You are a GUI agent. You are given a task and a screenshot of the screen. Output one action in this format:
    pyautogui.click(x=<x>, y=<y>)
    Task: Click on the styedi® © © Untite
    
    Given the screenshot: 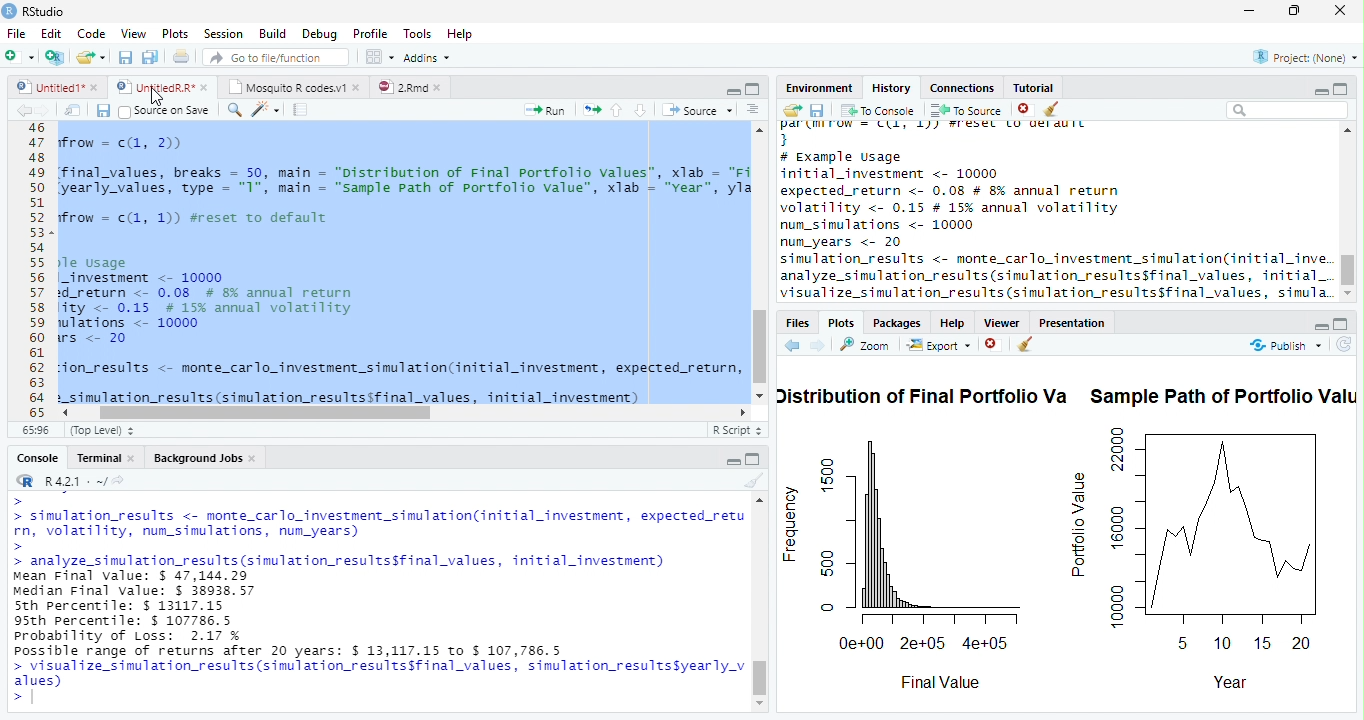 What is the action you would take?
    pyautogui.click(x=162, y=87)
    